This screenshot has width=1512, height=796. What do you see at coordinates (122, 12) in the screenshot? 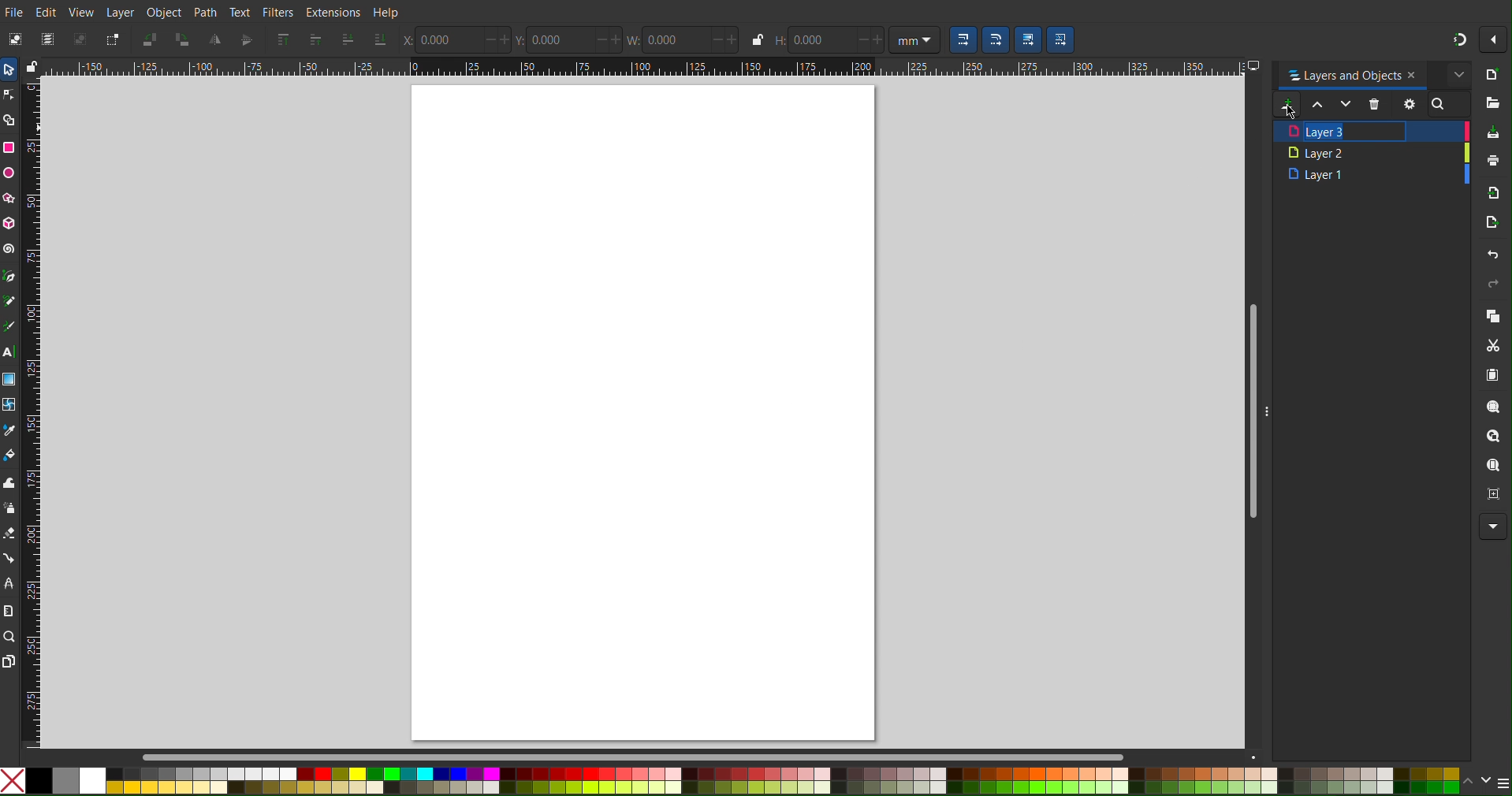
I see `Layer` at bounding box center [122, 12].